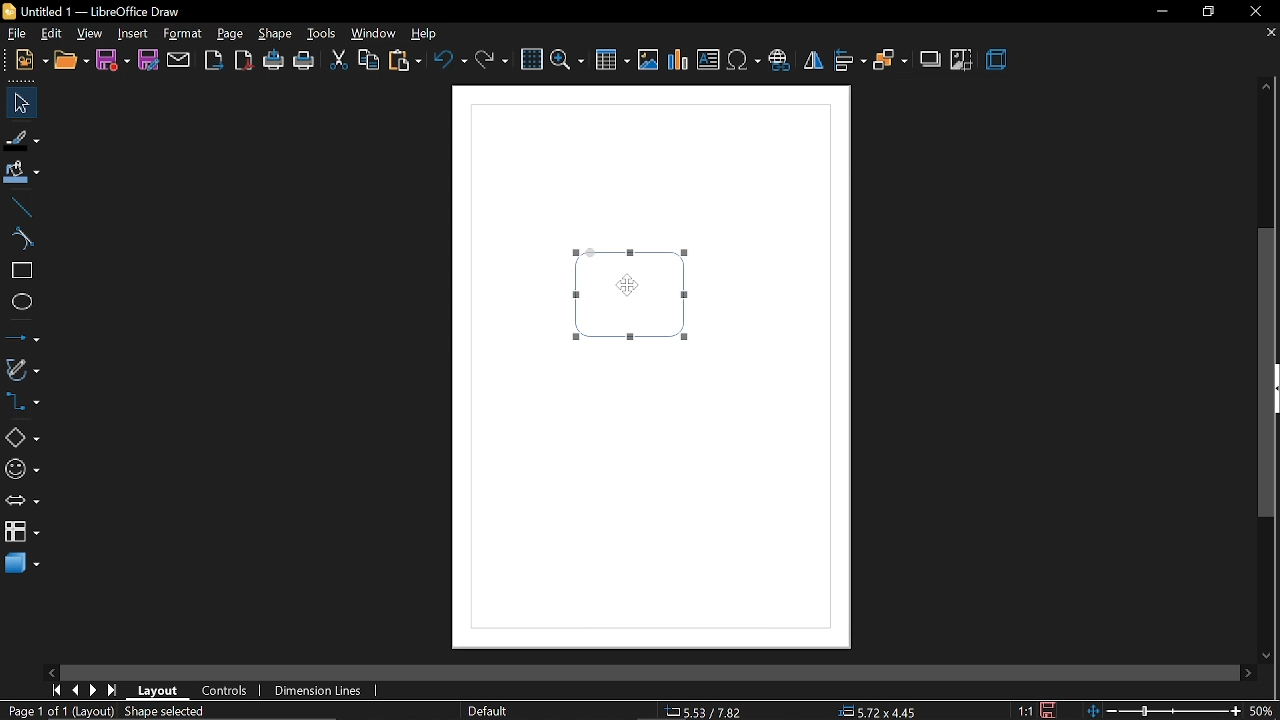 The width and height of the screenshot is (1280, 720). Describe the element at coordinates (15, 32) in the screenshot. I see `file` at that location.